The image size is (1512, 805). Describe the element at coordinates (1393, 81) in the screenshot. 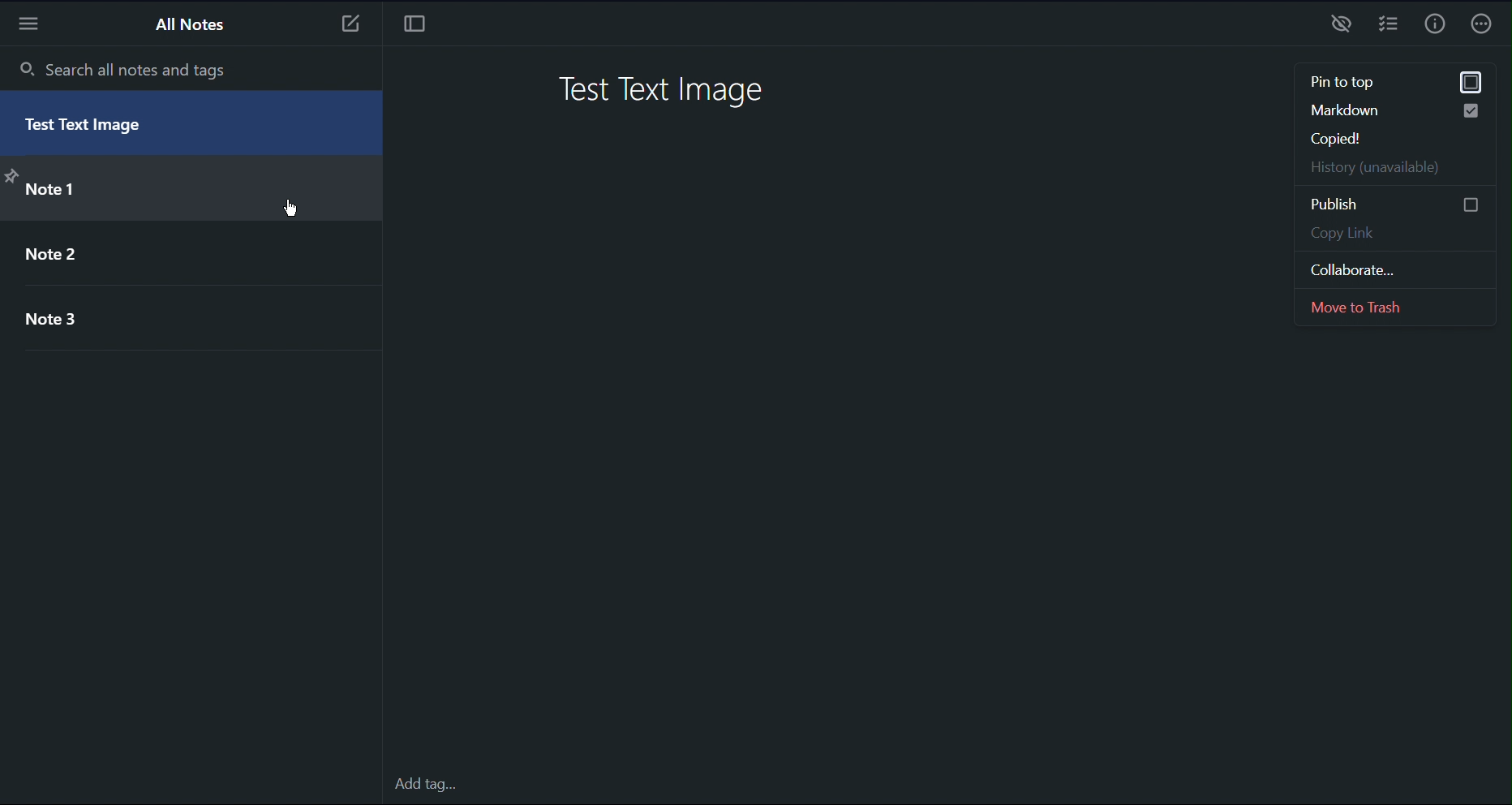

I see `pin to top` at that location.